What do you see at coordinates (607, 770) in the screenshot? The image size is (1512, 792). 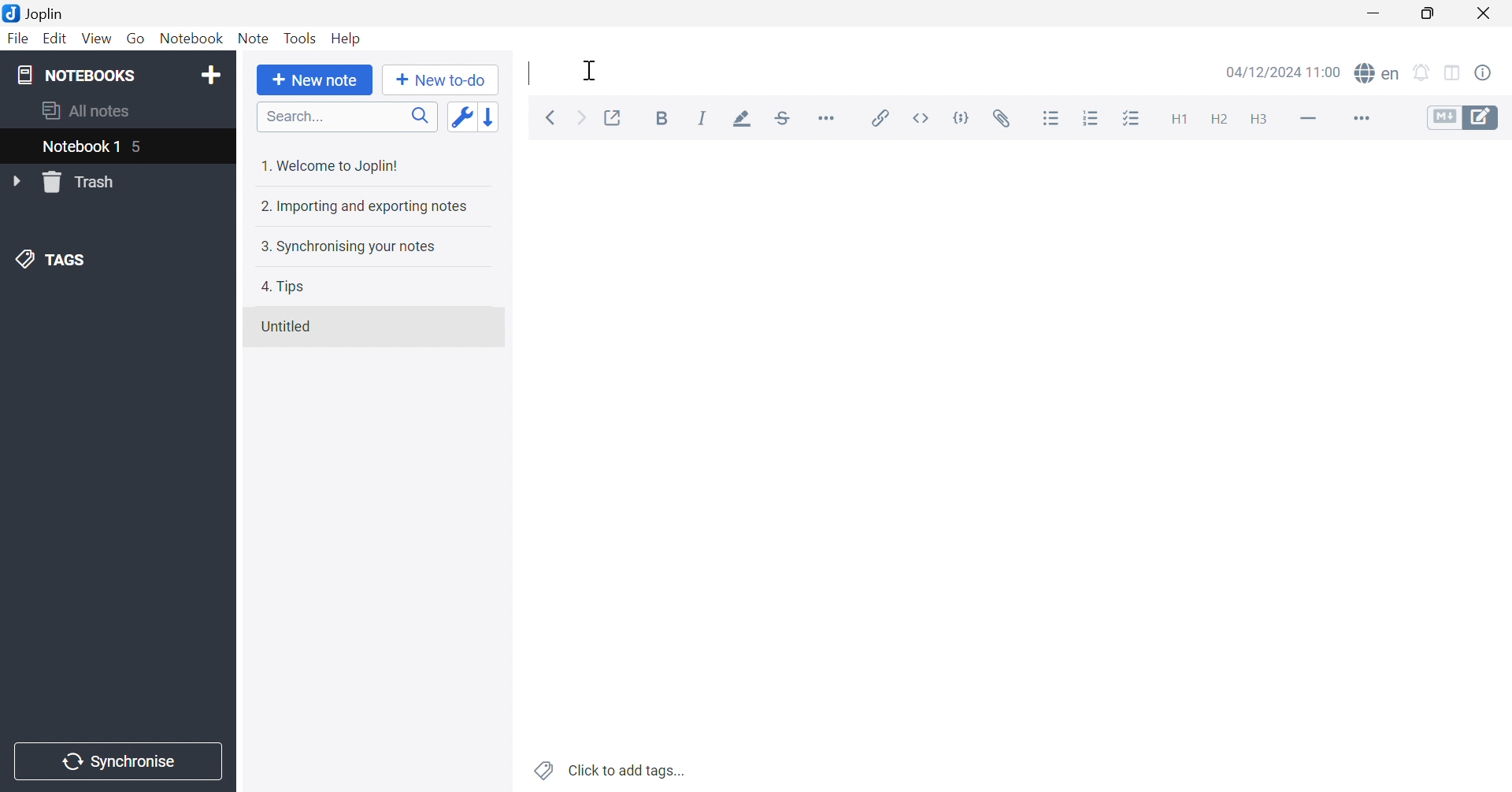 I see `Click to add tags` at bounding box center [607, 770].